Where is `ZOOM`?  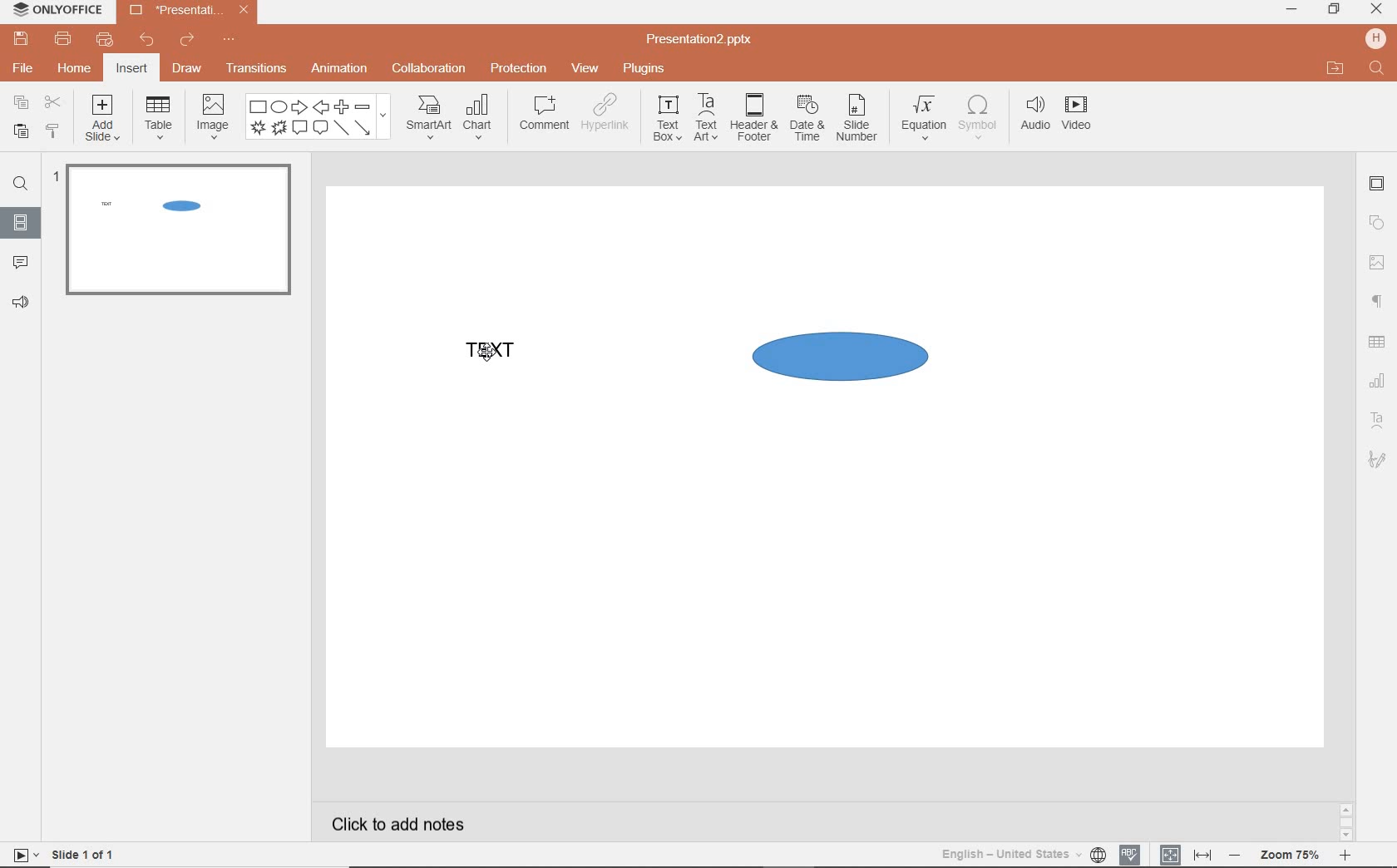 ZOOM is located at coordinates (1289, 857).